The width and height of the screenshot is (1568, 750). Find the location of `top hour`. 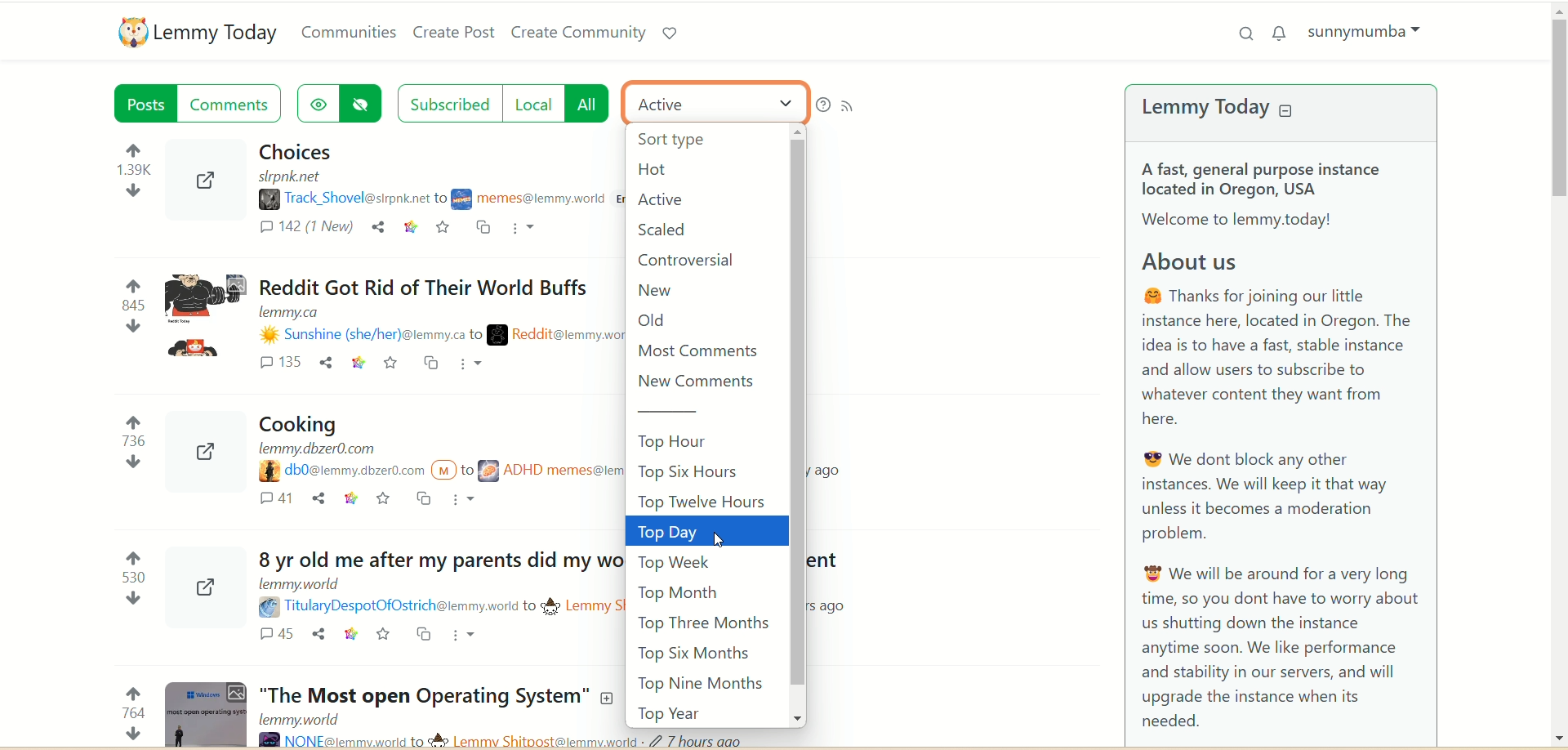

top hour is located at coordinates (709, 441).